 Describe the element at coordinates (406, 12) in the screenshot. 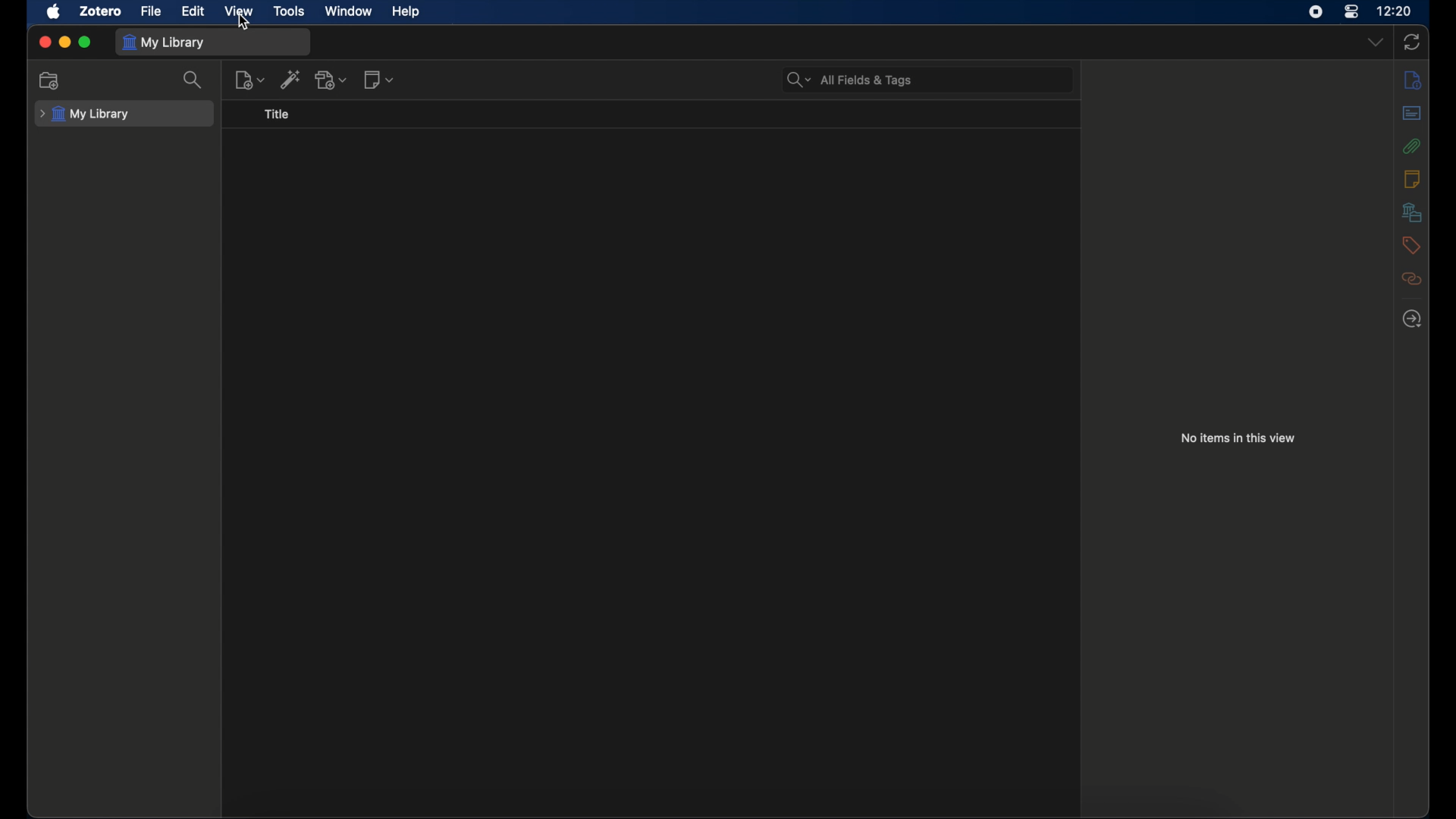

I see `help` at that location.